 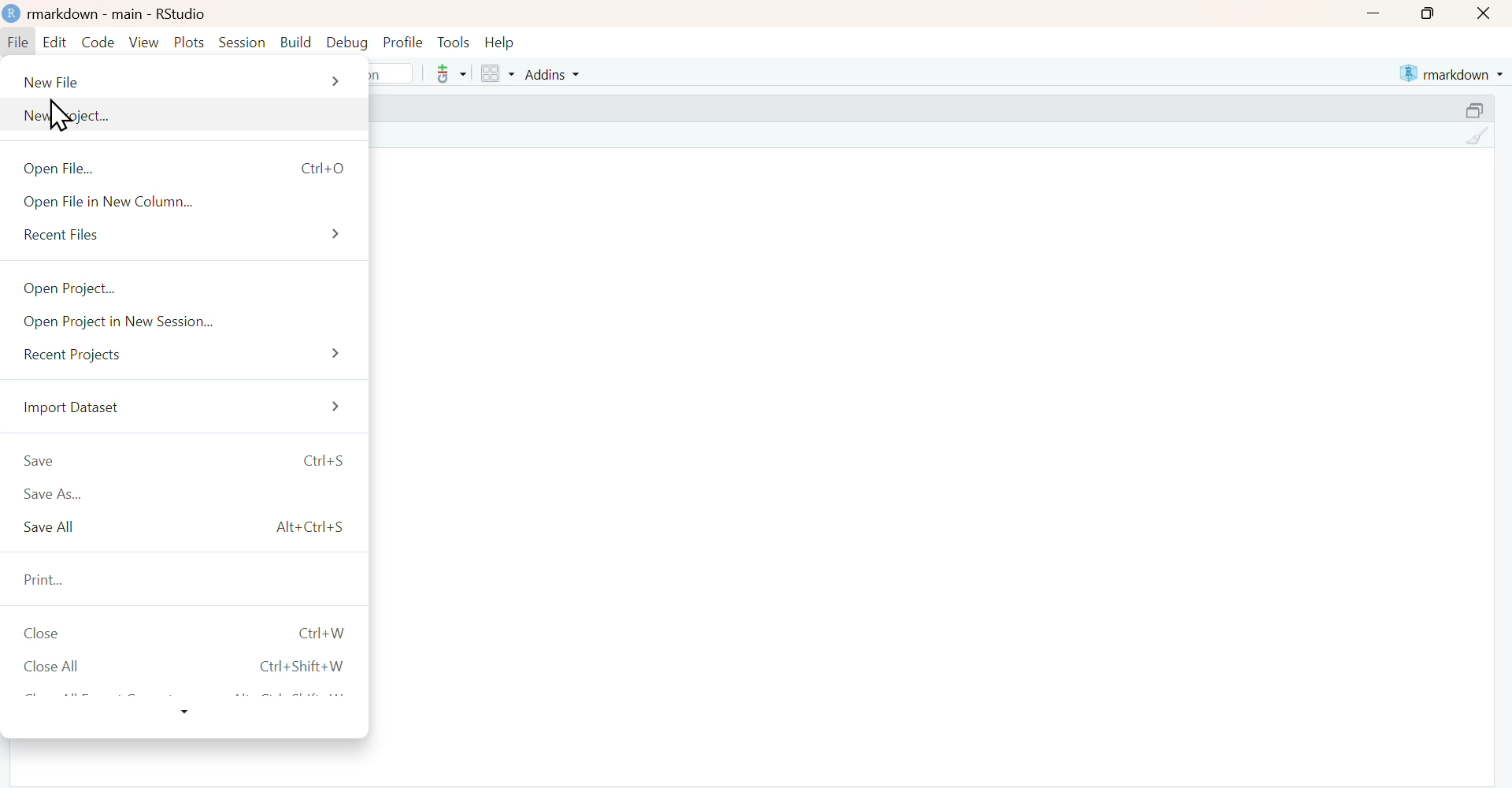 What do you see at coordinates (191, 166) in the screenshot?
I see `open file` at bounding box center [191, 166].